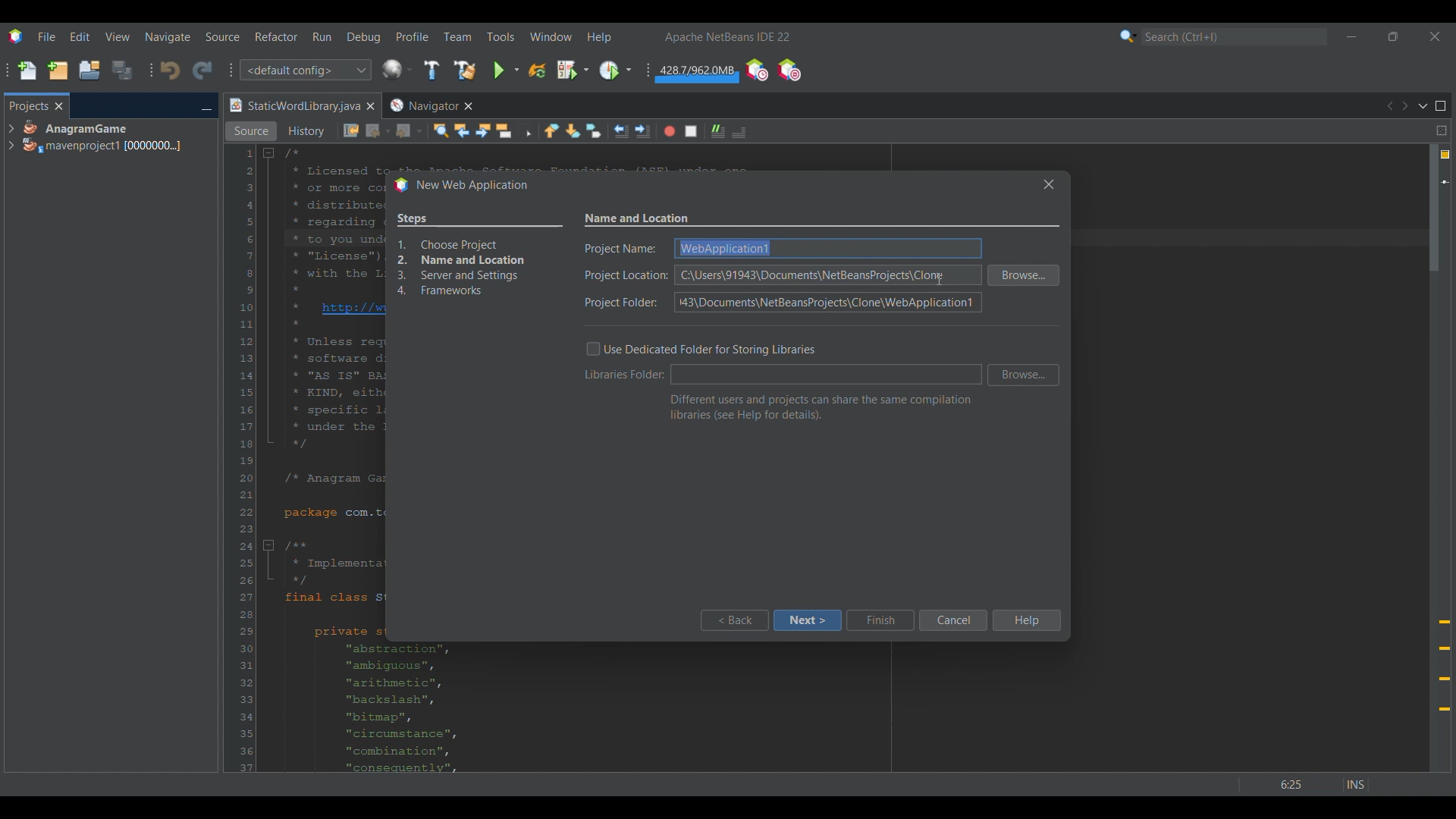 The width and height of the screenshot is (1456, 819). I want to click on Finish, so click(880, 620).